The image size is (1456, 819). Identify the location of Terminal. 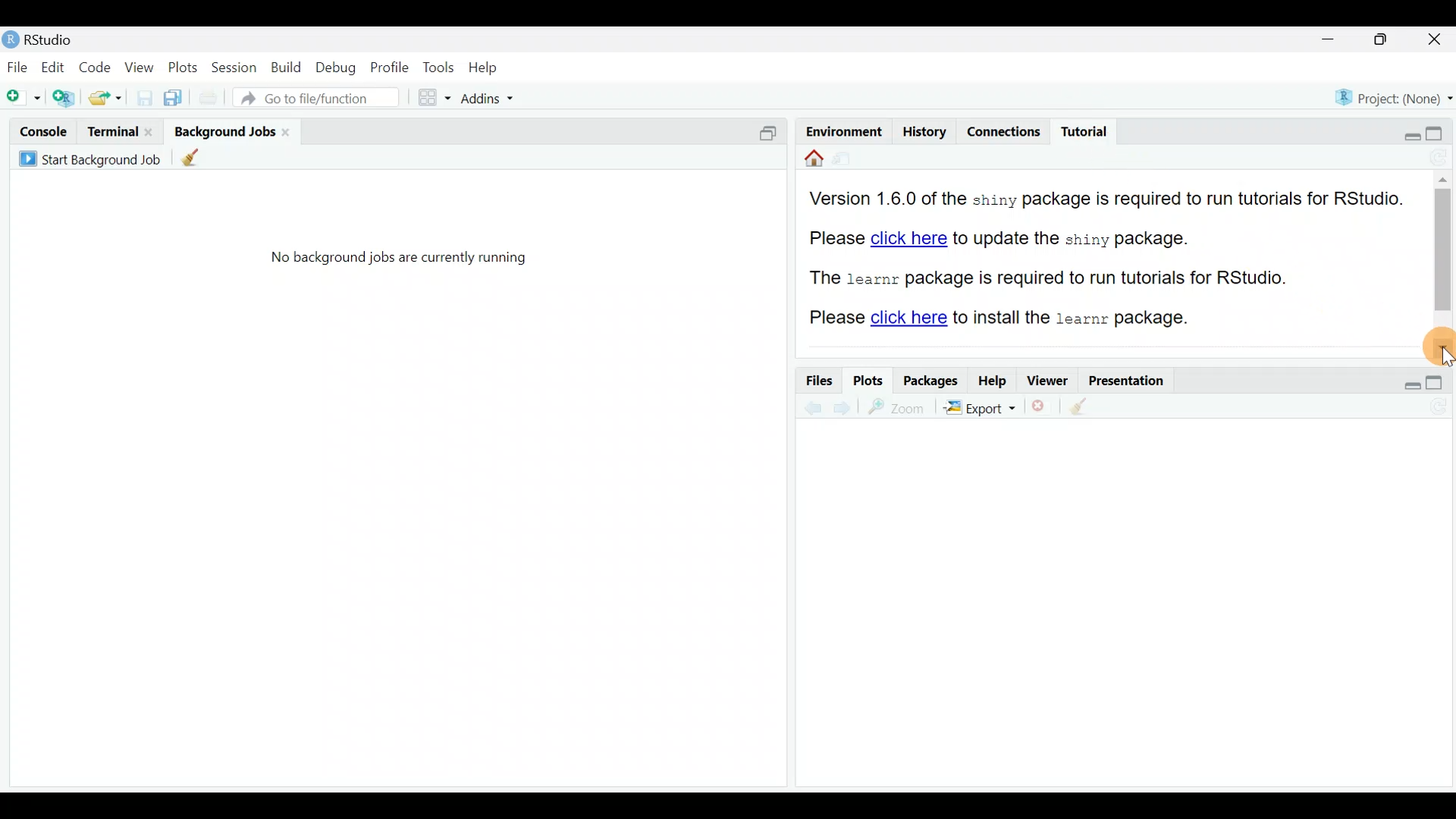
(111, 130).